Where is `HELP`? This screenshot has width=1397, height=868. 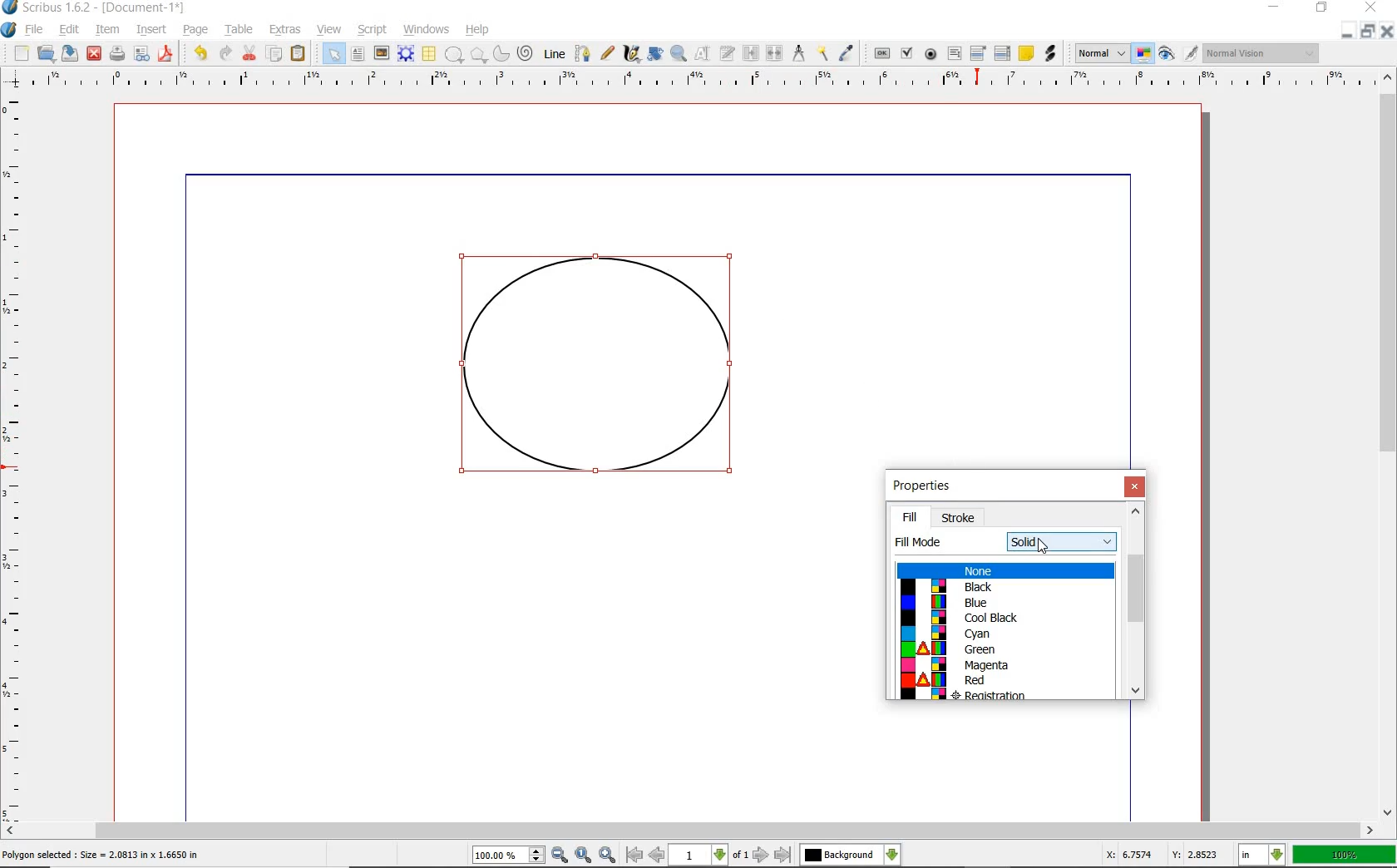
HELP is located at coordinates (481, 28).